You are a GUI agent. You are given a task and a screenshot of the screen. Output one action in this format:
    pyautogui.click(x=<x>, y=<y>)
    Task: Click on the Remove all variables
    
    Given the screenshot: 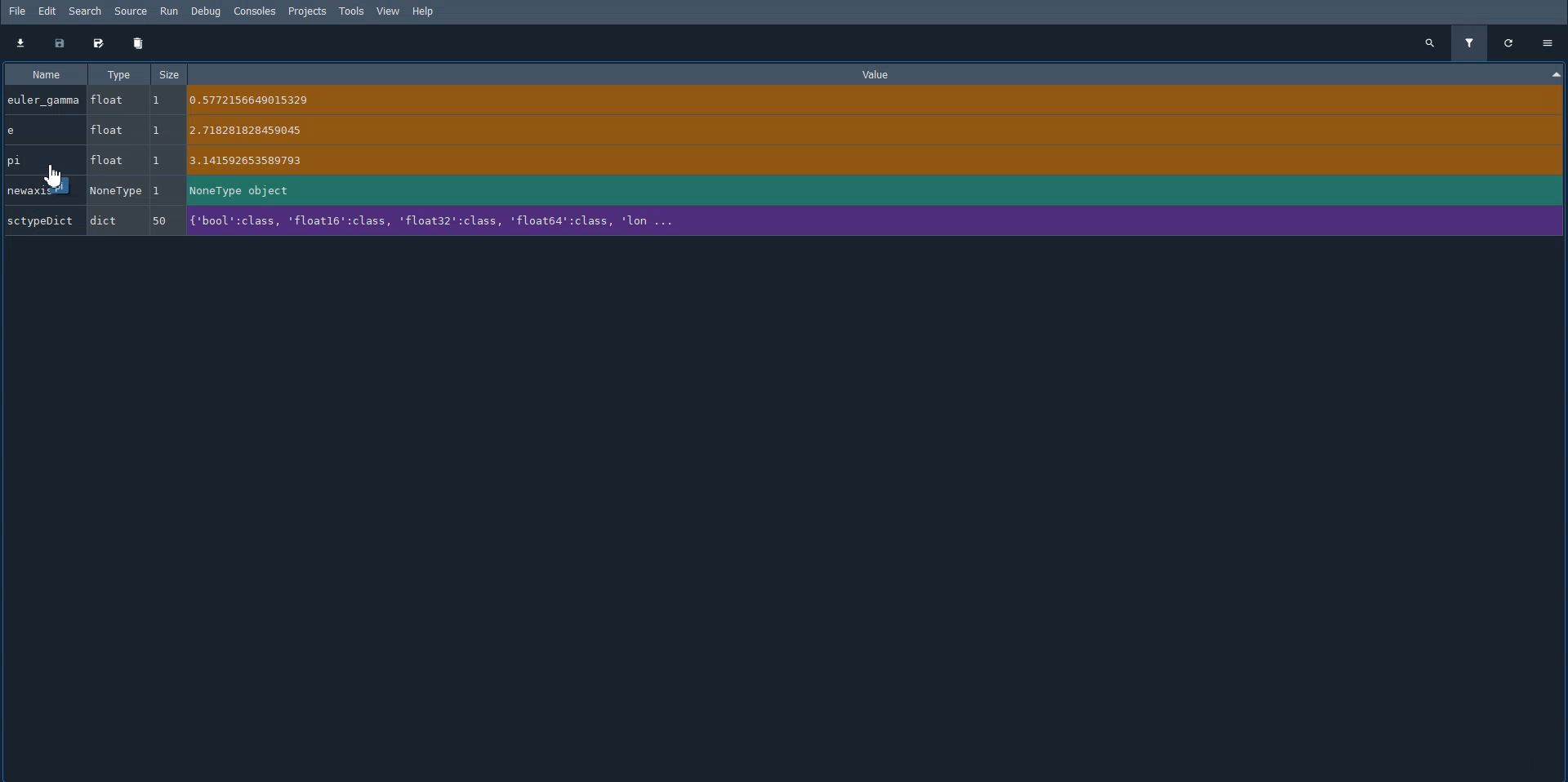 What is the action you would take?
    pyautogui.click(x=138, y=44)
    